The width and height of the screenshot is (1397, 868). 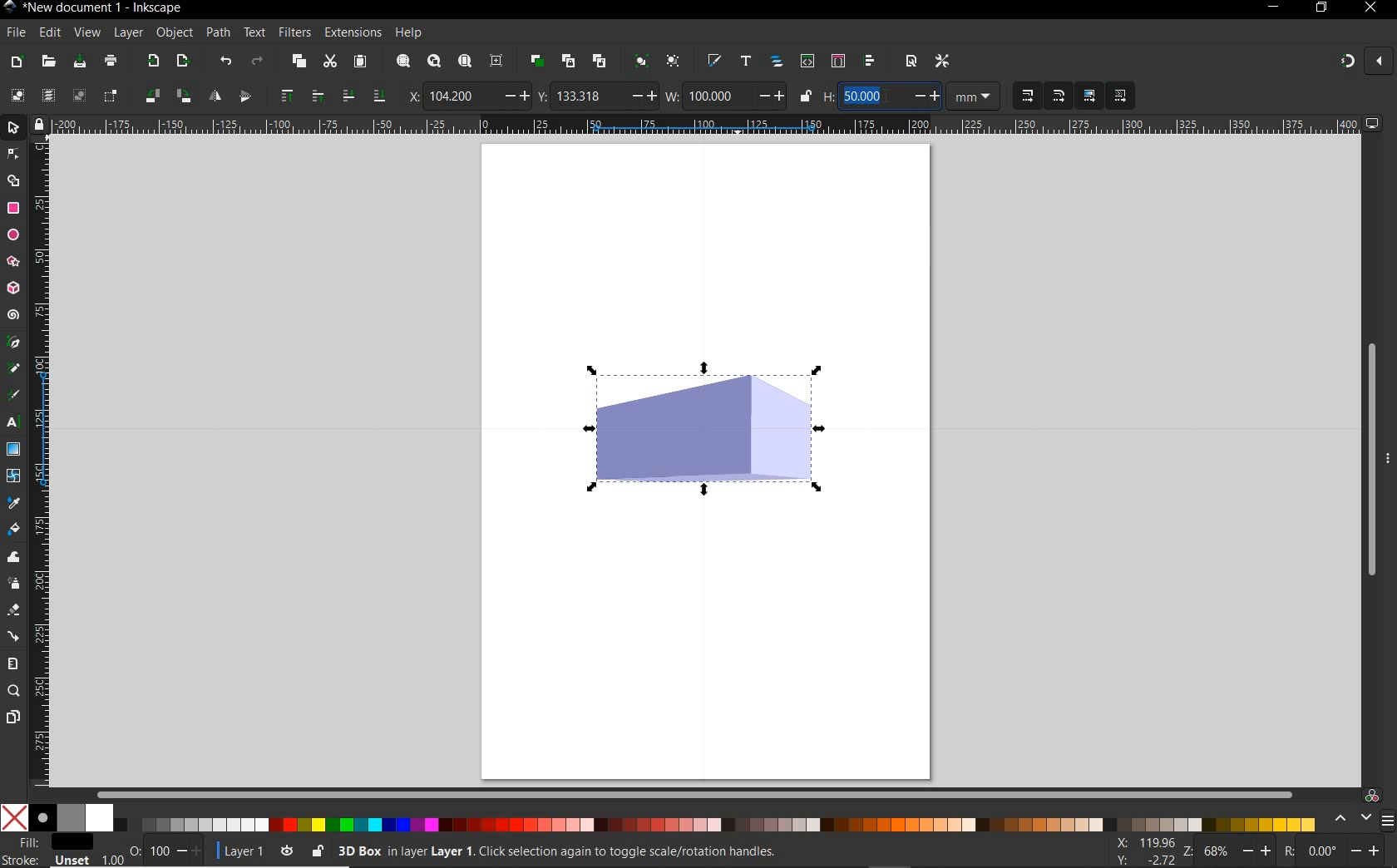 I want to click on h, so click(x=828, y=96).